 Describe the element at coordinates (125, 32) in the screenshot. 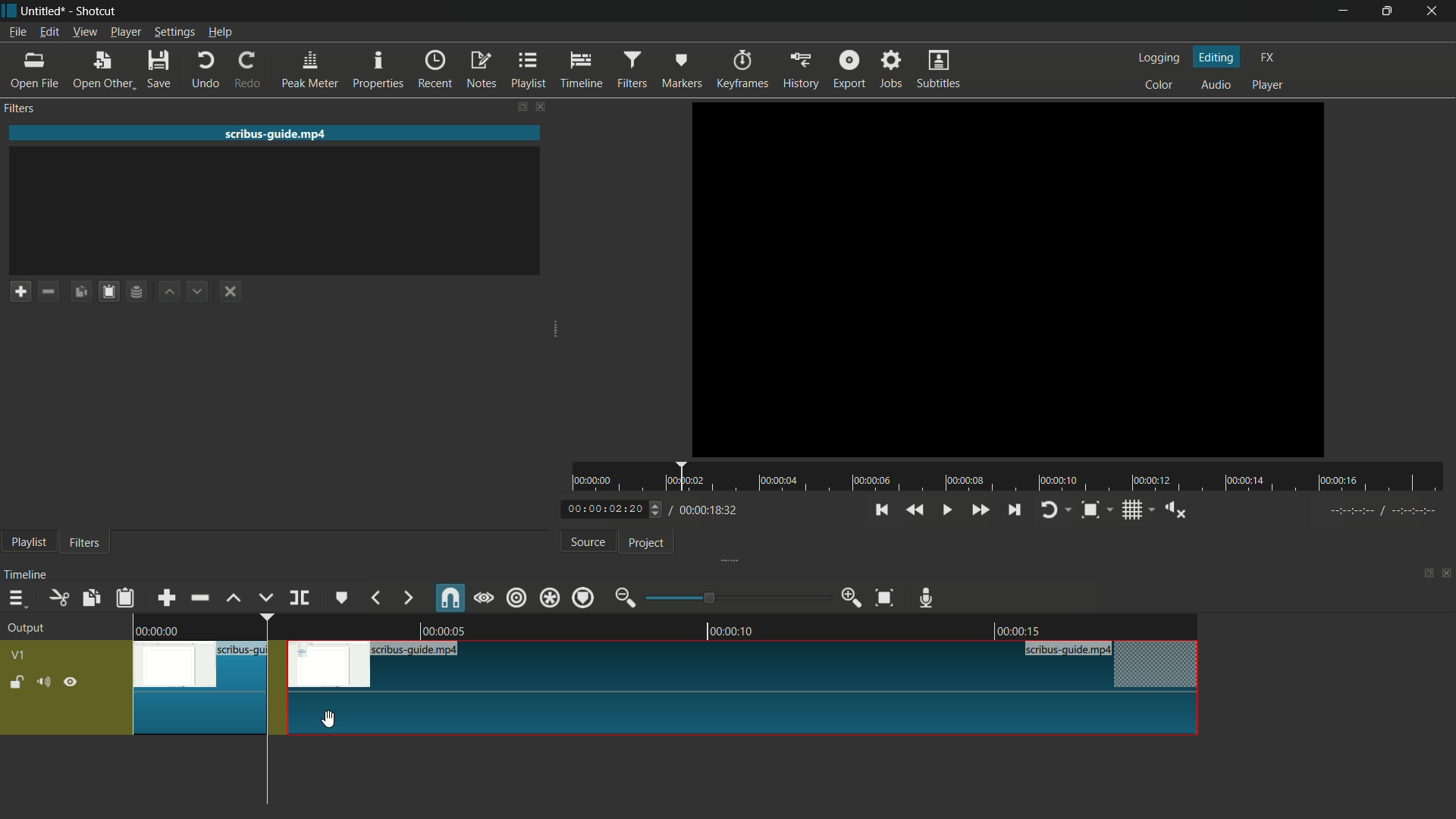

I see `player menu` at that location.